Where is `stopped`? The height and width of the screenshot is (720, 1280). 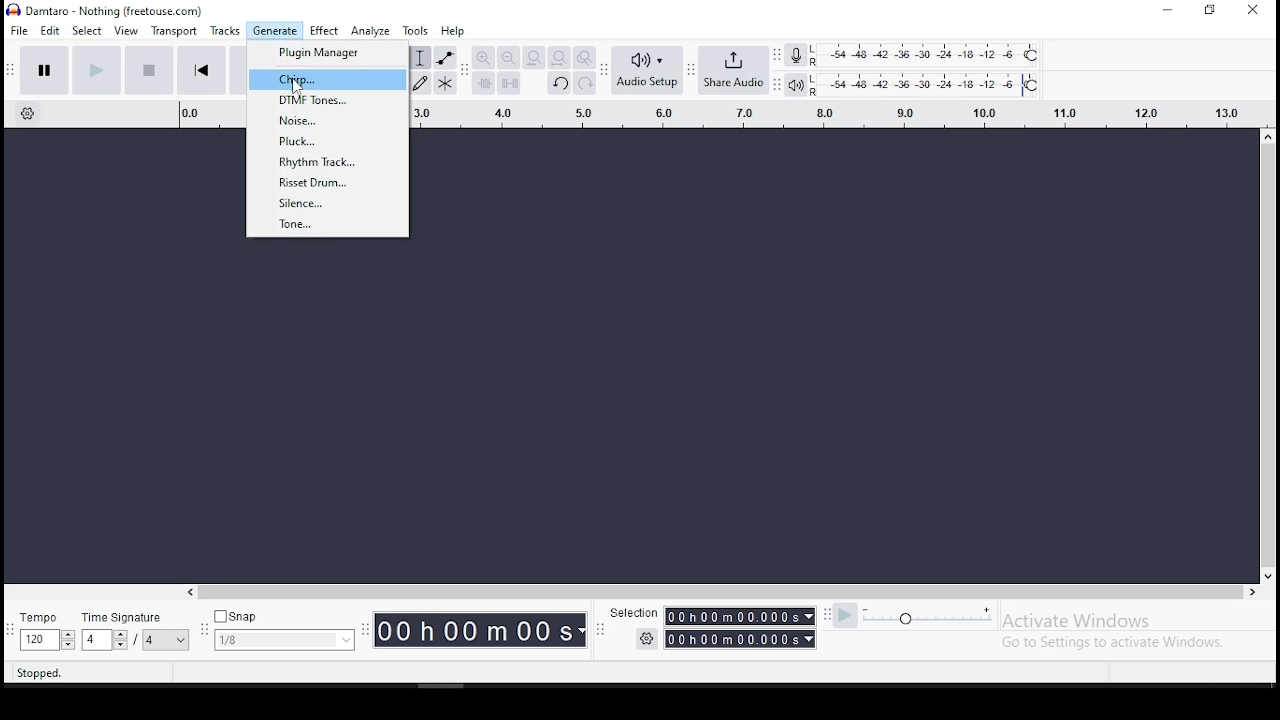
stopped is located at coordinates (38, 675).